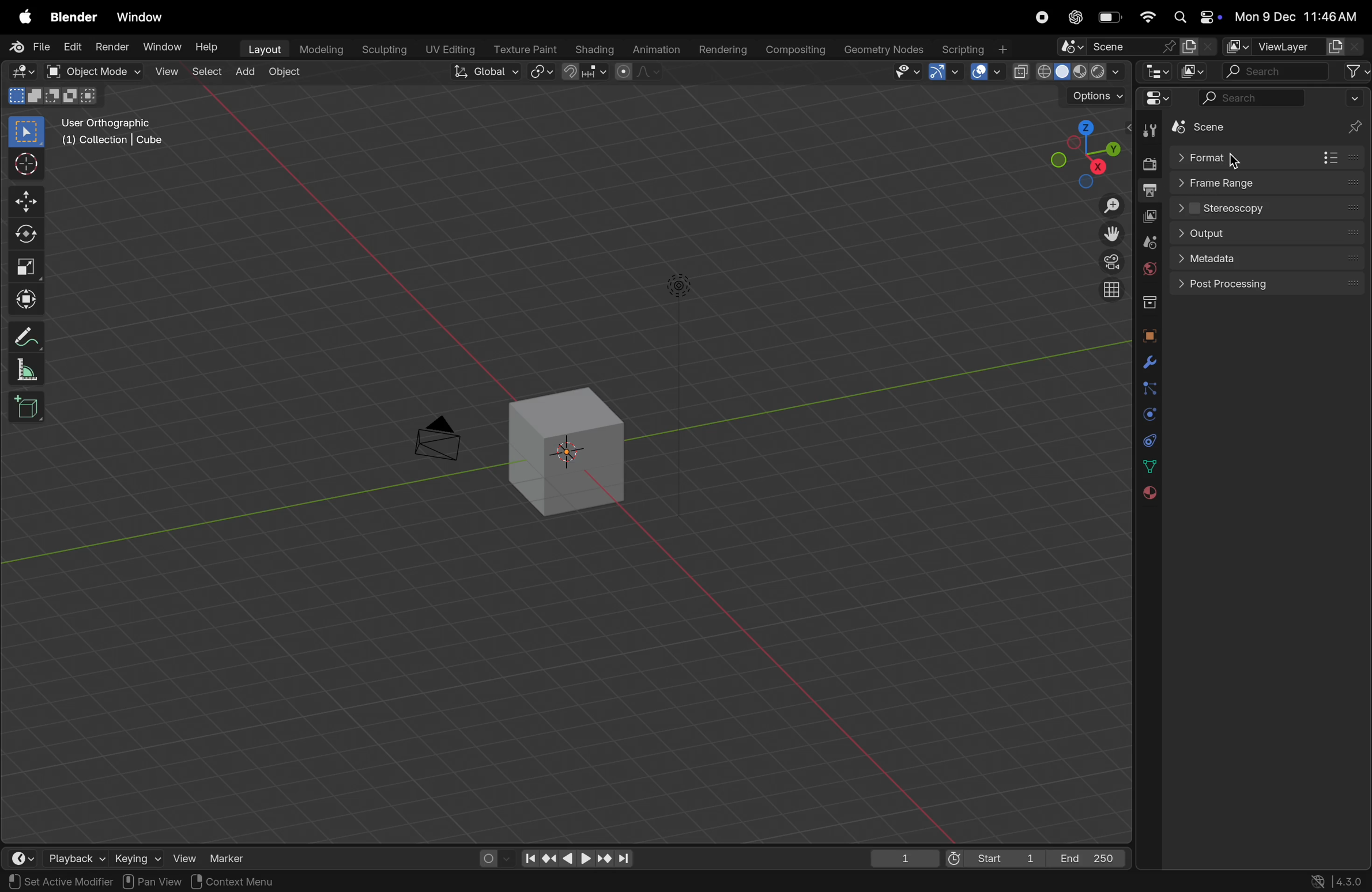  What do you see at coordinates (381, 49) in the screenshot?
I see `Sculpting` at bounding box center [381, 49].